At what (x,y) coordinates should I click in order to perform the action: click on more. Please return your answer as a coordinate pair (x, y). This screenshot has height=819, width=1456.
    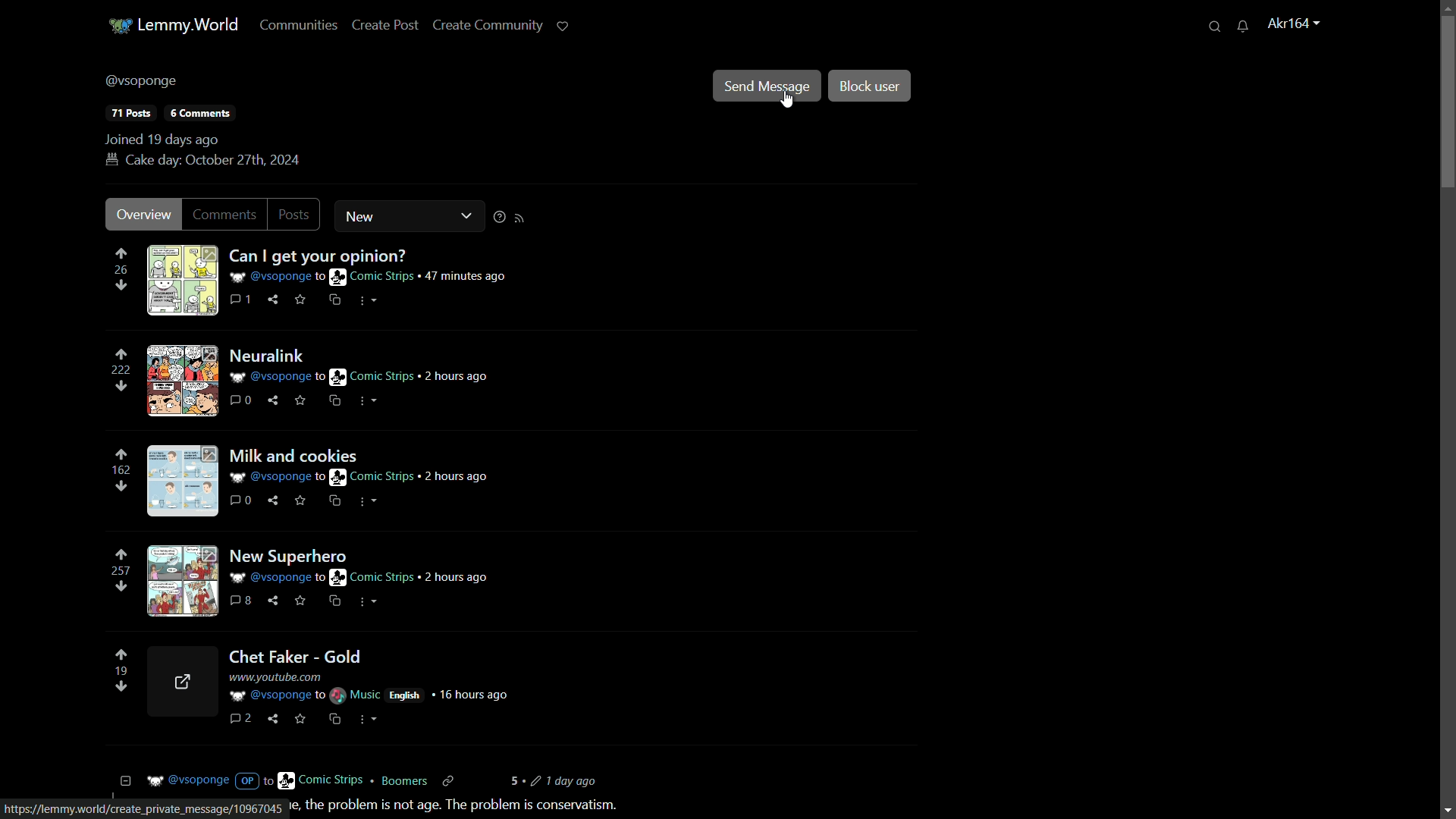
    Looking at the image, I should click on (372, 721).